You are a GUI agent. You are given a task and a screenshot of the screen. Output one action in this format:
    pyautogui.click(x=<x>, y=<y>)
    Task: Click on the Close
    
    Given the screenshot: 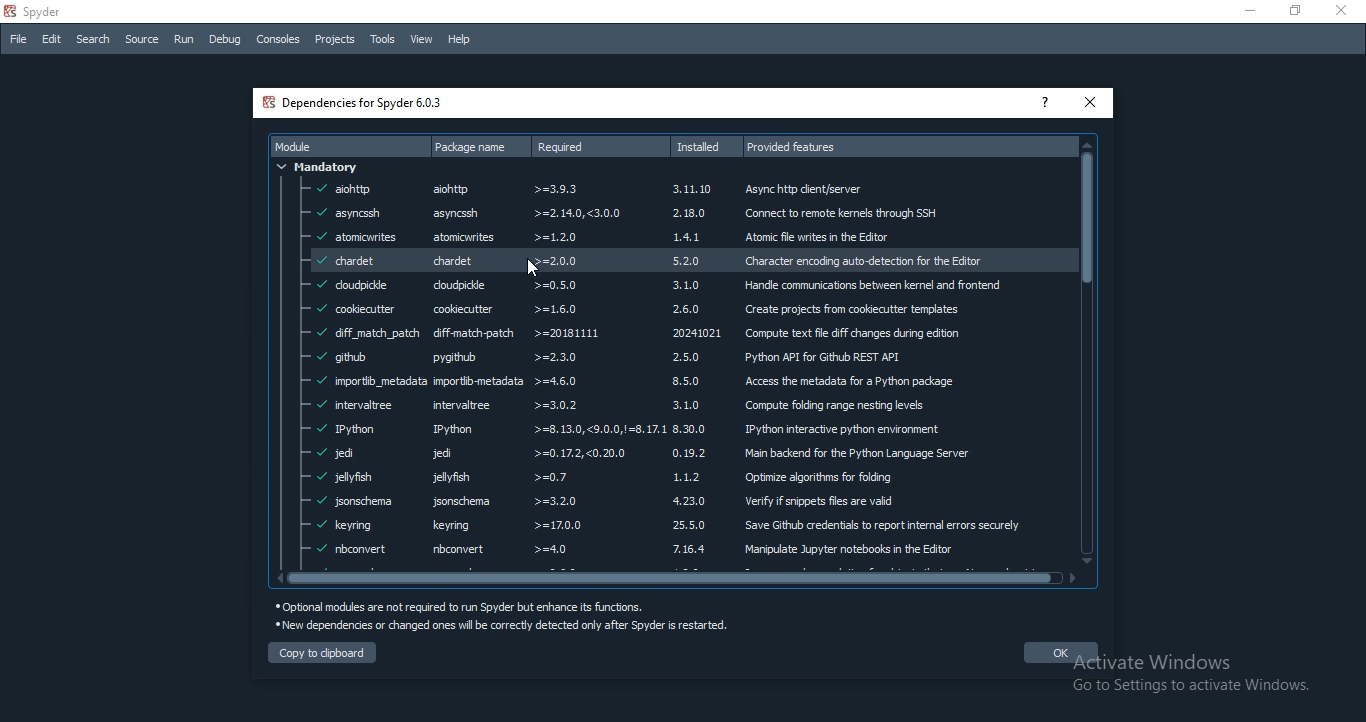 What is the action you would take?
    pyautogui.click(x=1346, y=10)
    